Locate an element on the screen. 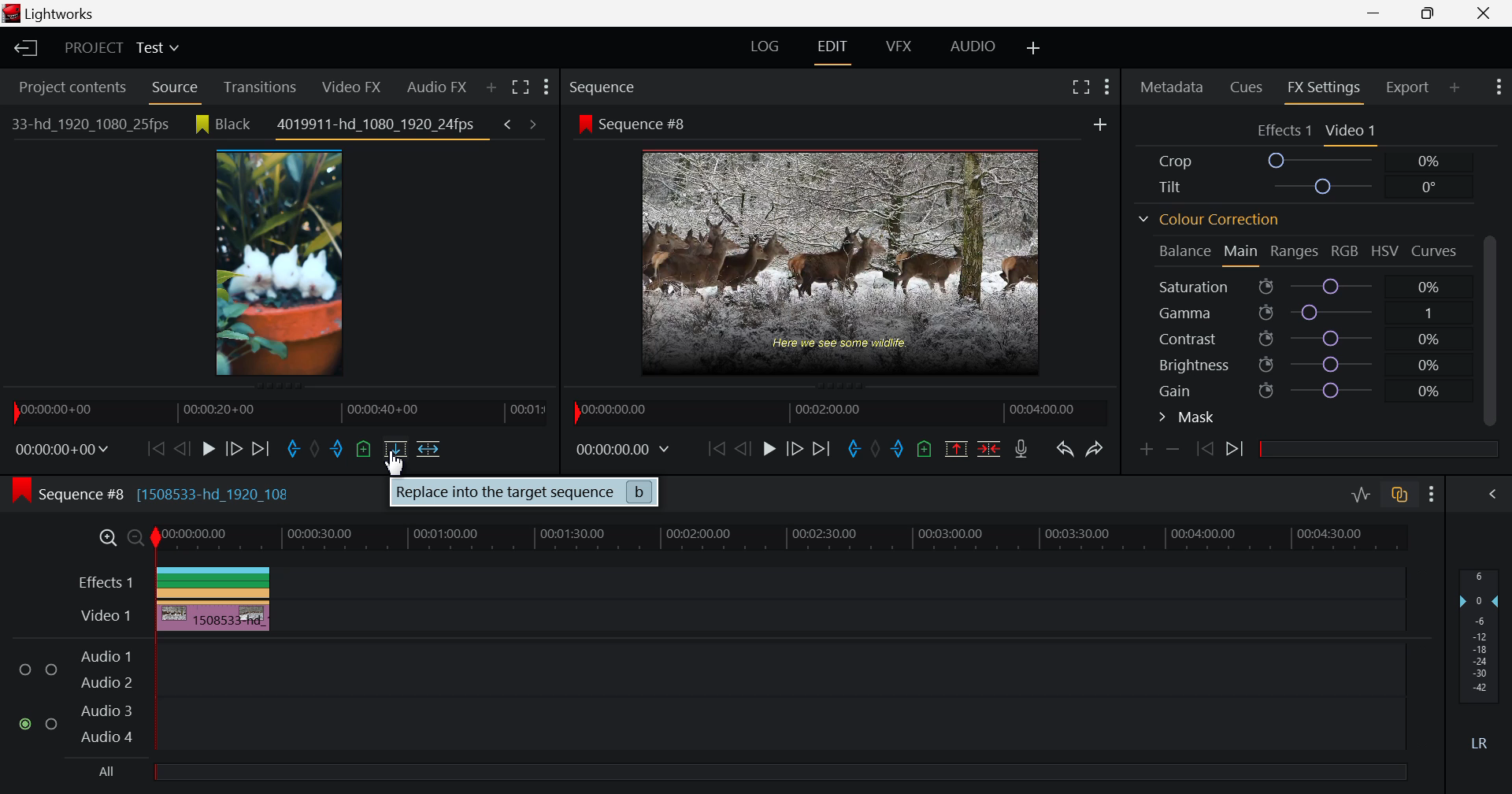 The width and height of the screenshot is (1512, 794). Saturation is located at coordinates (1303, 287).